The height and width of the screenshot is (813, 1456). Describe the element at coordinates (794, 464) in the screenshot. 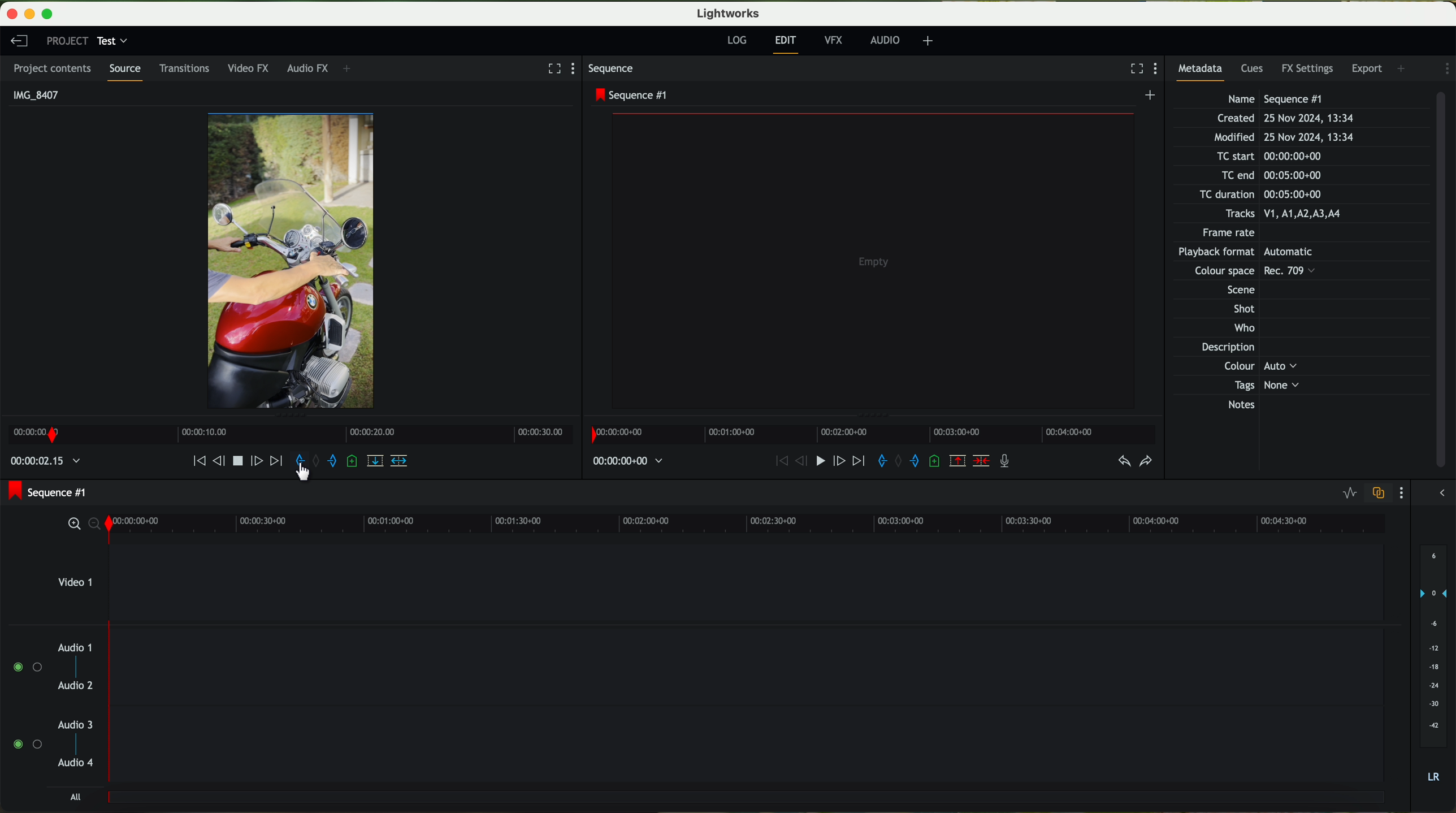

I see `nudge one frame back` at that location.